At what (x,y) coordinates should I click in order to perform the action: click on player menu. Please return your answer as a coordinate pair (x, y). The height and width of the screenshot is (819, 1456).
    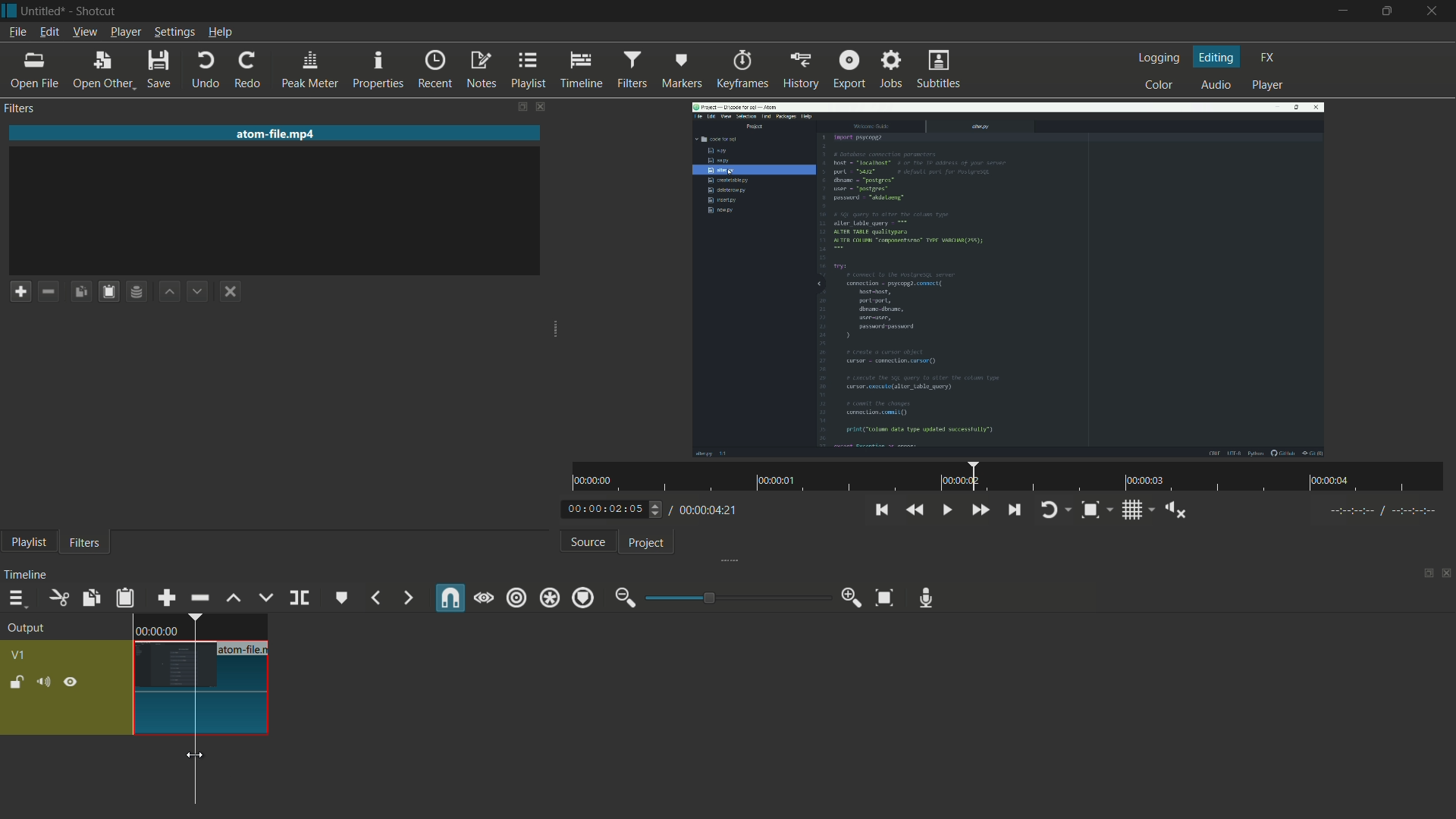
    Looking at the image, I should click on (127, 33).